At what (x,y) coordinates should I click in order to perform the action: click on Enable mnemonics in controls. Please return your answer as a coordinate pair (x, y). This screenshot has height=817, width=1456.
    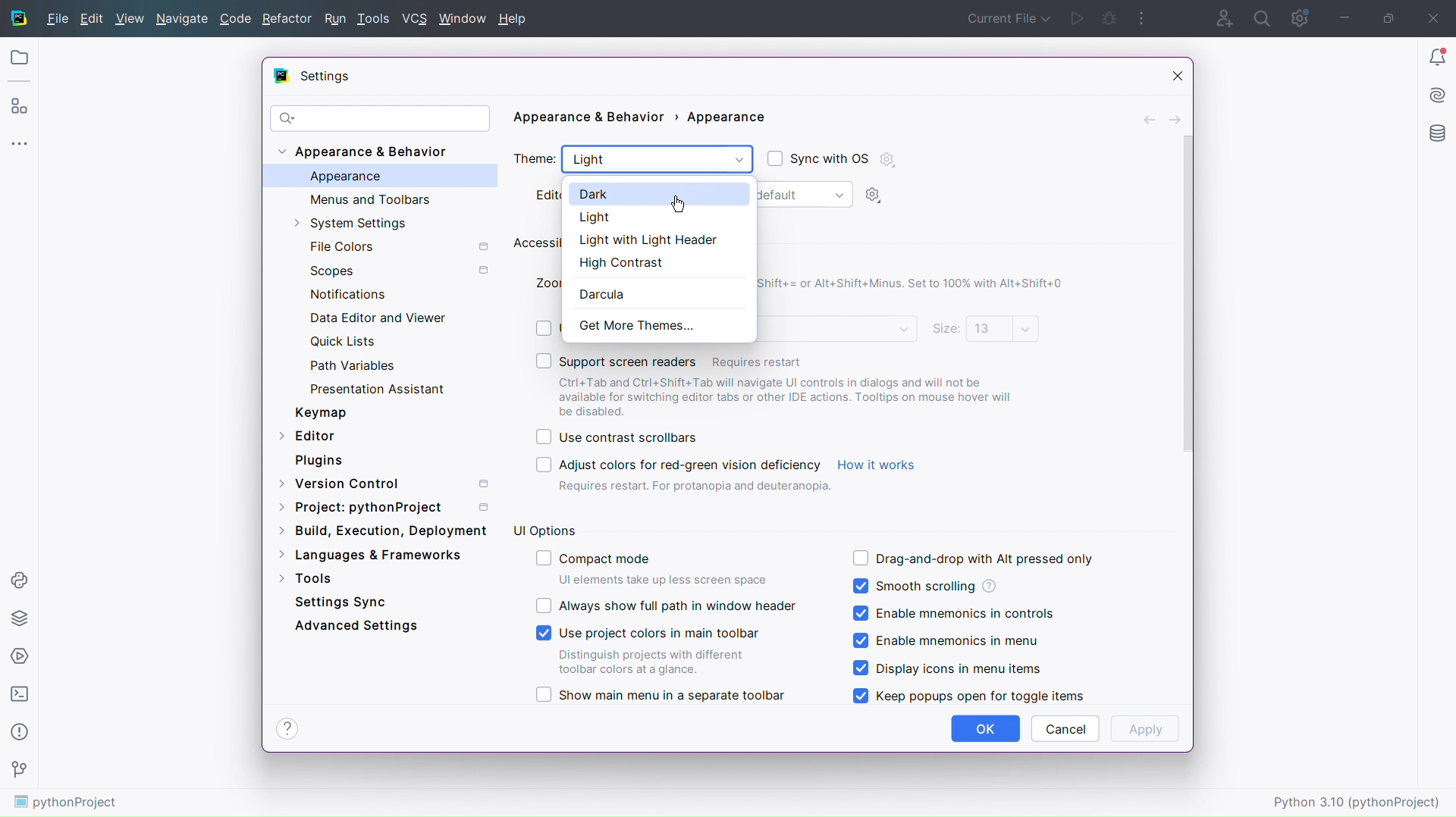
    Looking at the image, I should click on (952, 615).